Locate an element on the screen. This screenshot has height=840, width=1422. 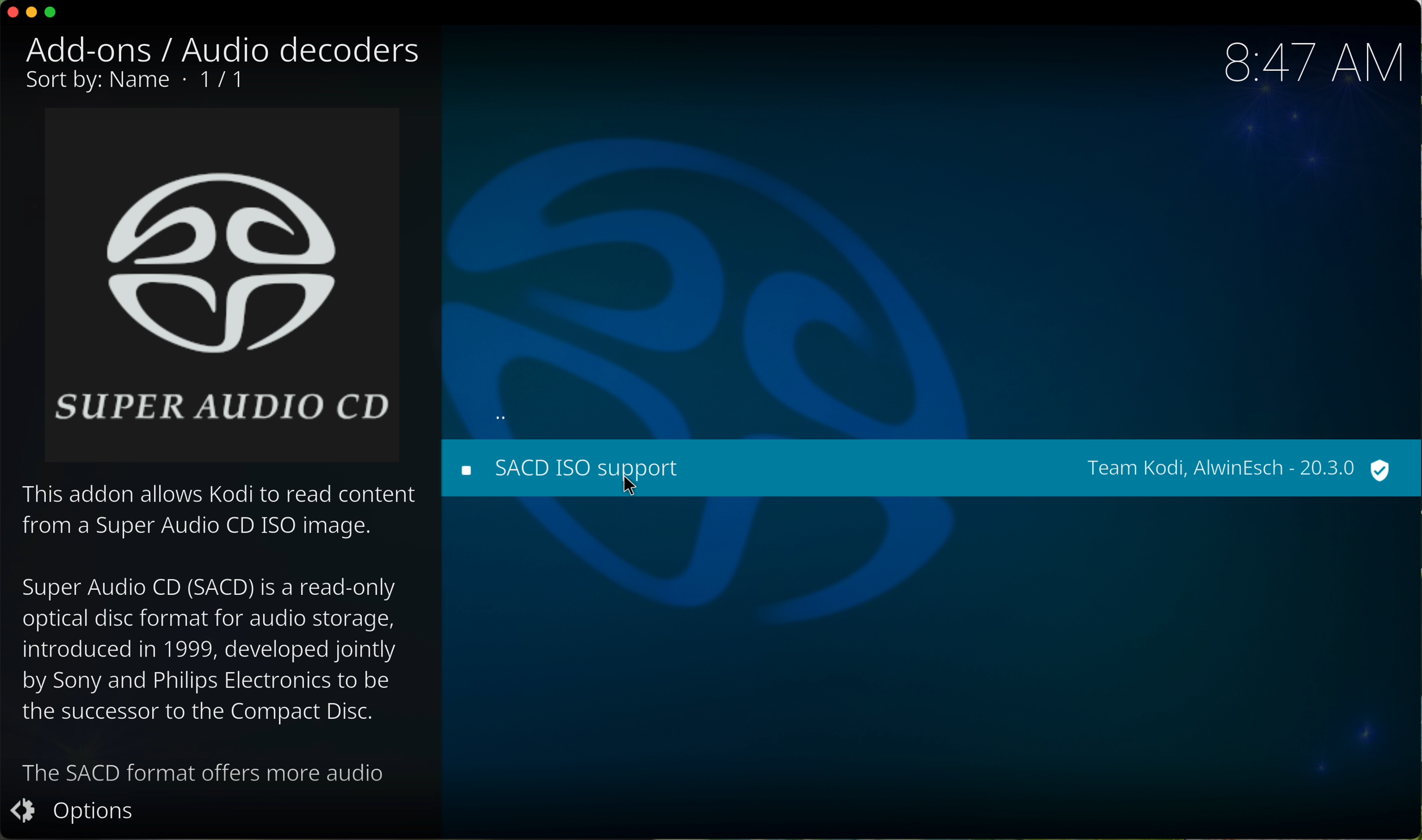
maximize program is located at coordinates (52, 14).